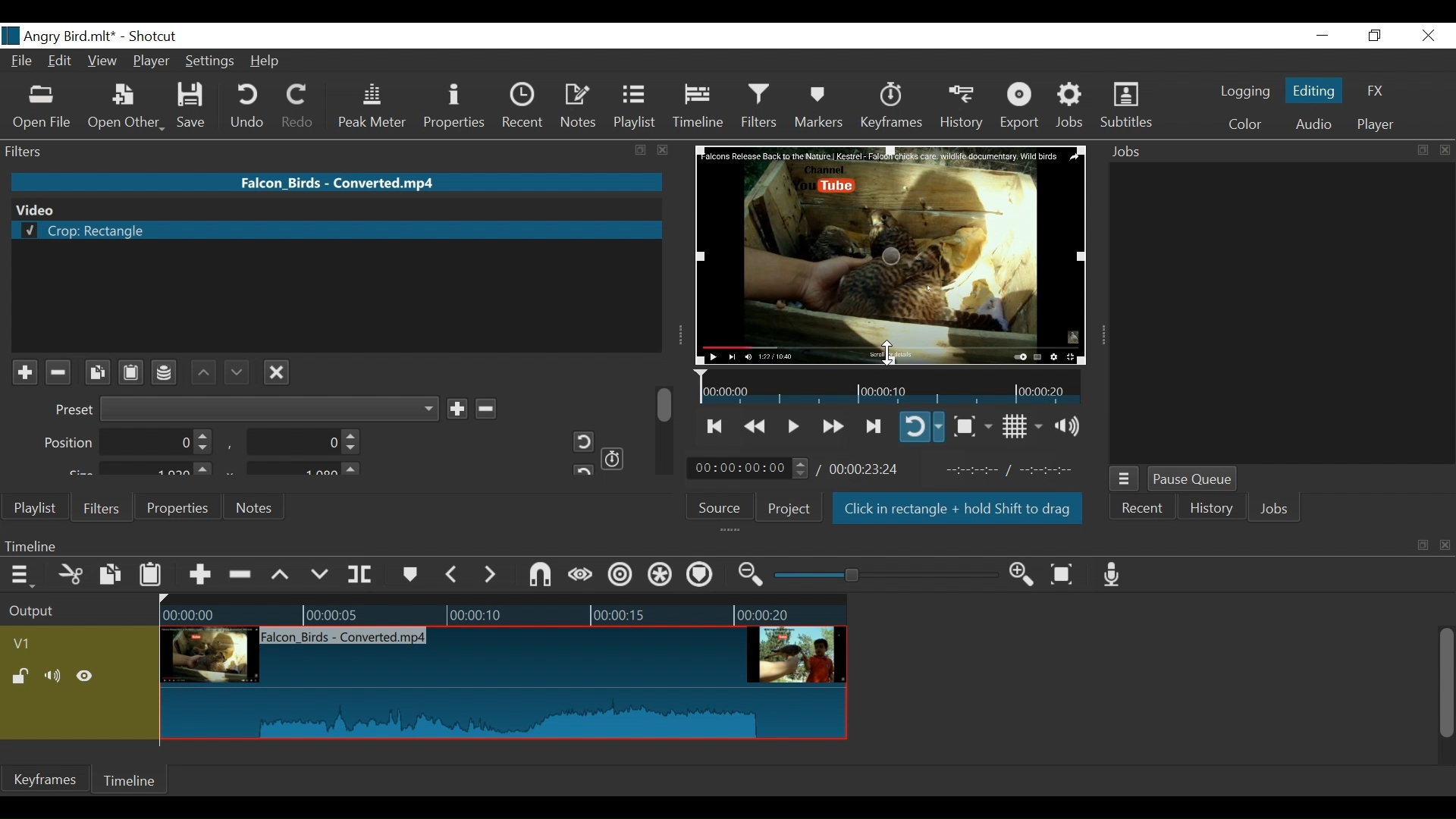 This screenshot has width=1456, height=819. What do you see at coordinates (242, 576) in the screenshot?
I see `Remove cut` at bounding box center [242, 576].